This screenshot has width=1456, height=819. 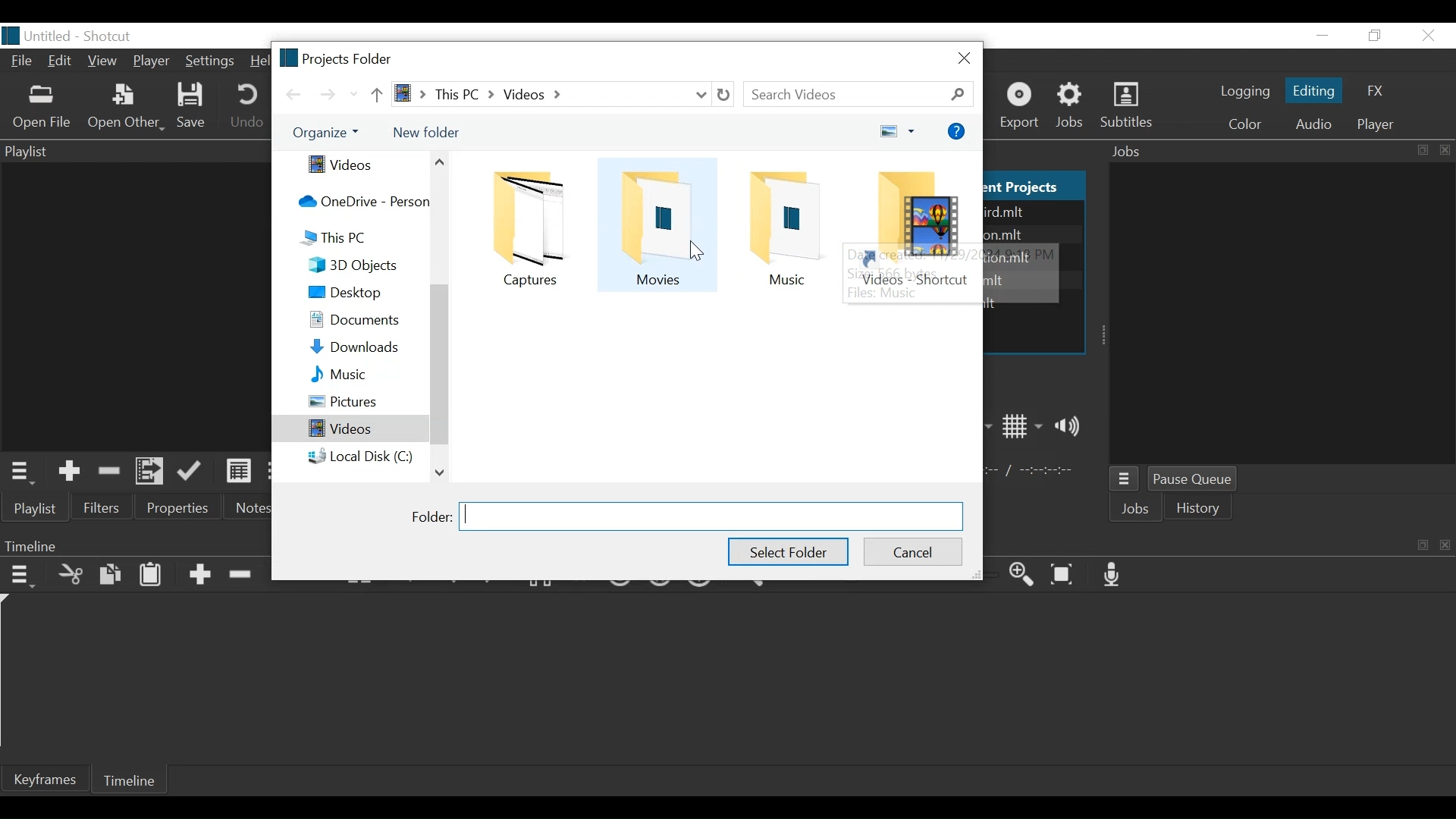 What do you see at coordinates (71, 573) in the screenshot?
I see `Cut` at bounding box center [71, 573].